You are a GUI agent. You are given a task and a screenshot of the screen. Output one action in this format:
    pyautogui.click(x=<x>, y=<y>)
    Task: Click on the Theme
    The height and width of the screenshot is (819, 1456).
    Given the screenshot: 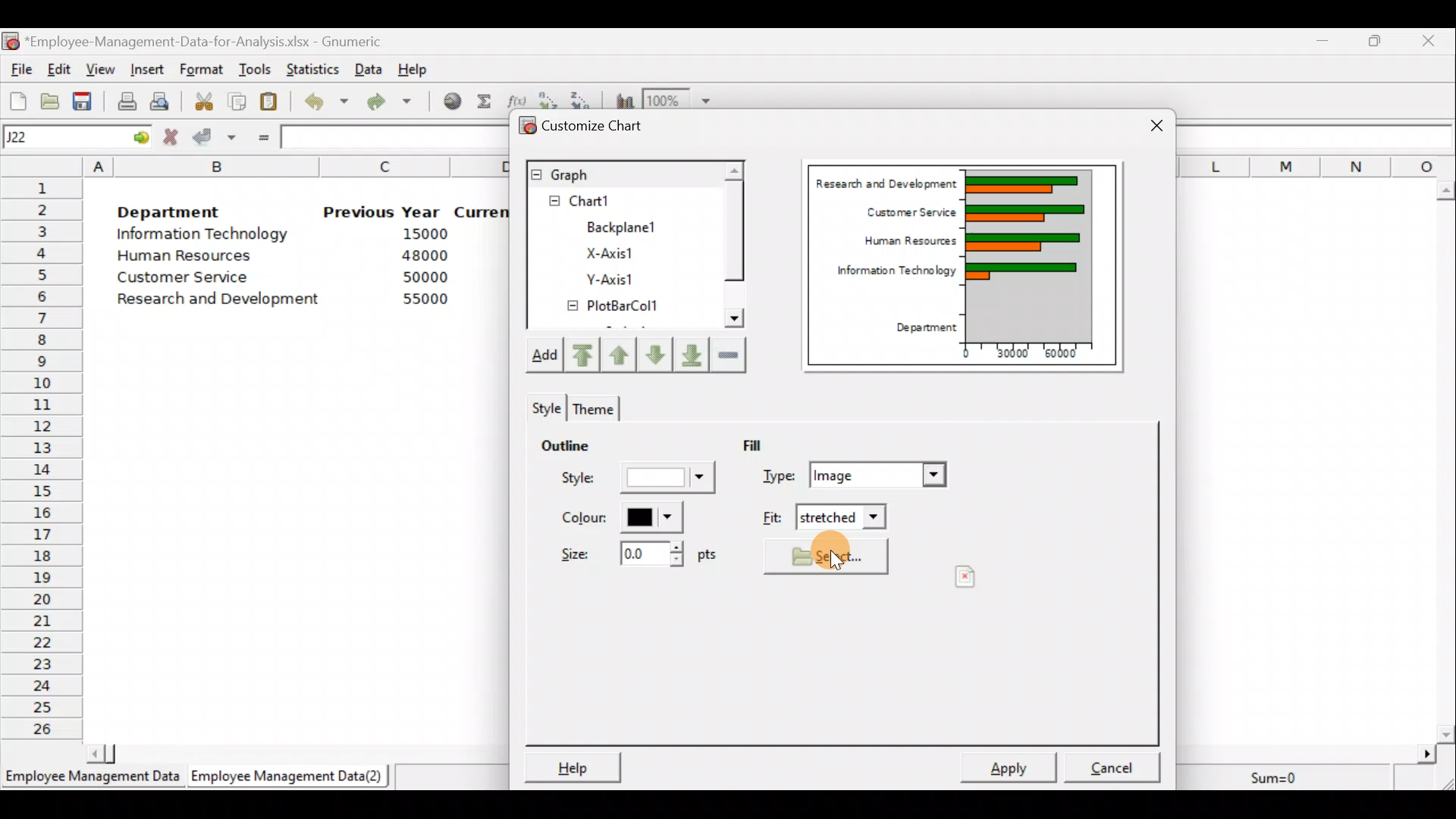 What is the action you would take?
    pyautogui.click(x=597, y=406)
    